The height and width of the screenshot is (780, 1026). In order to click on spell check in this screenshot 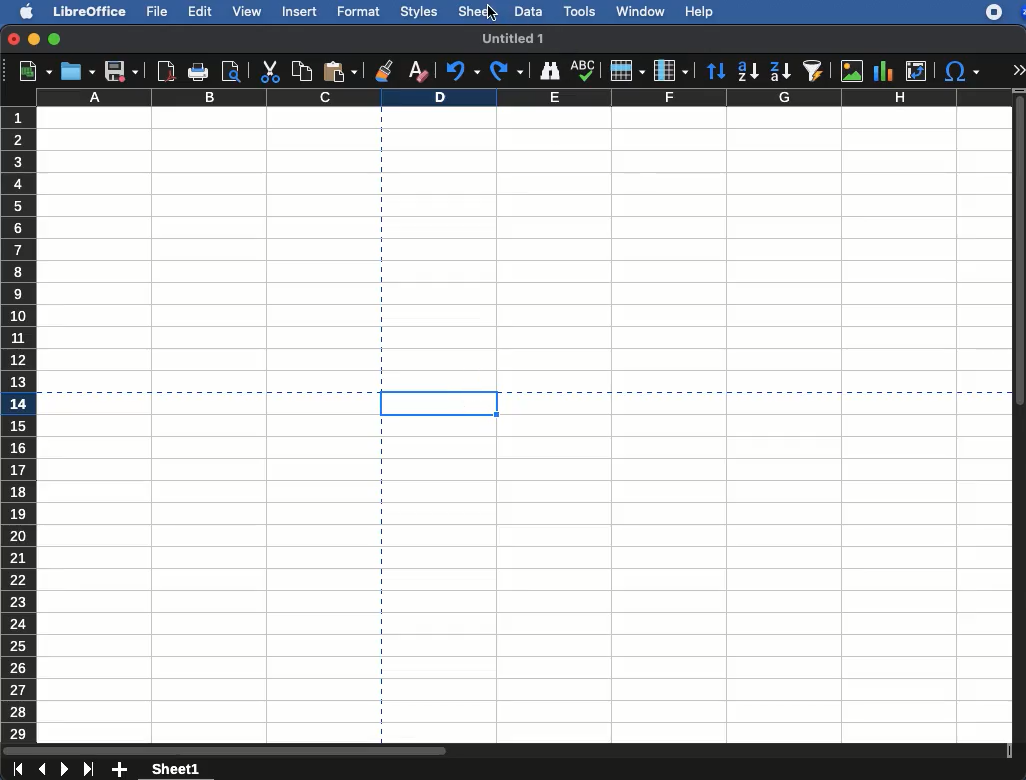, I will do `click(583, 70)`.